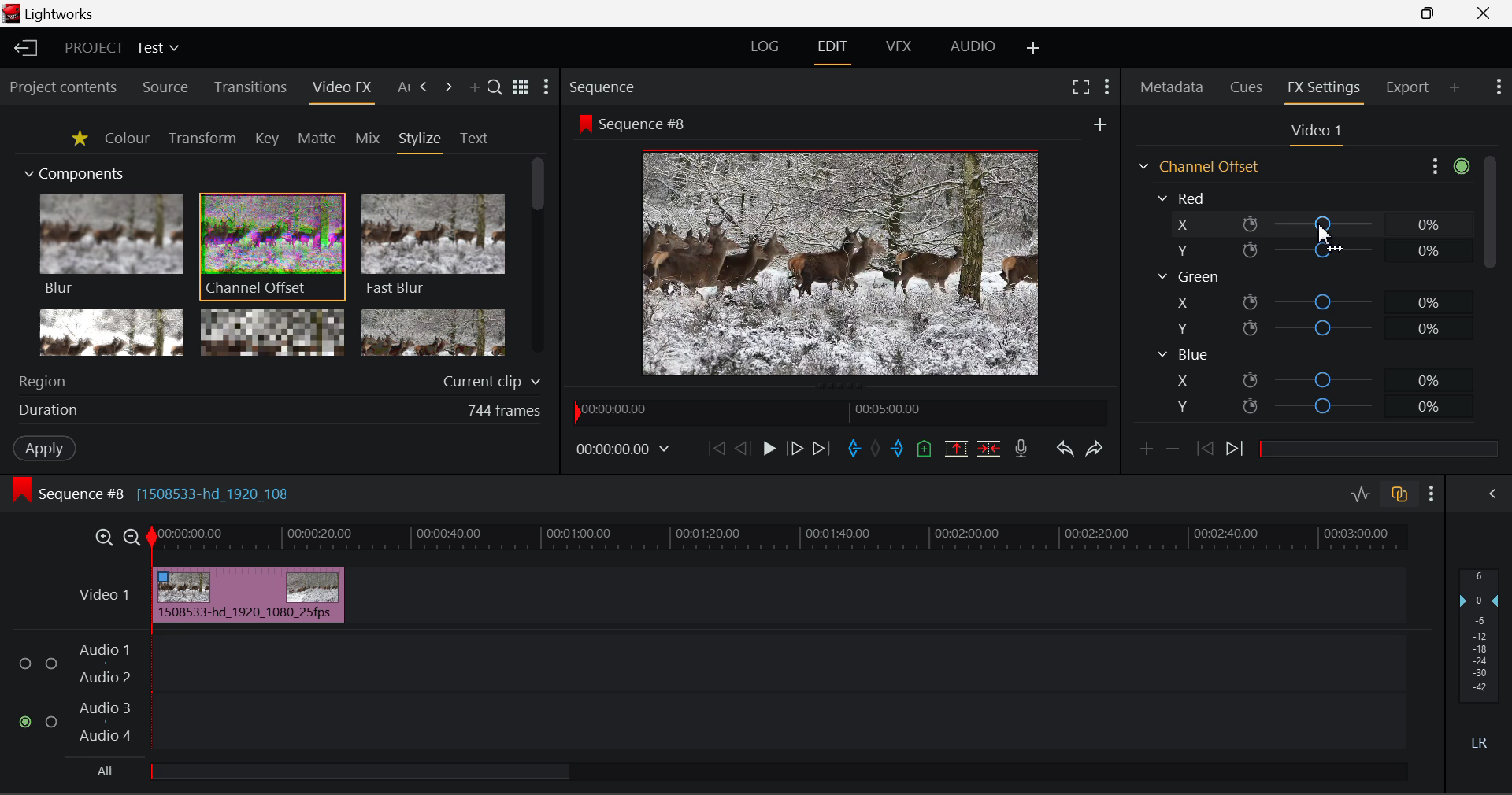  Describe the element at coordinates (741, 449) in the screenshot. I see `Go Back` at that location.